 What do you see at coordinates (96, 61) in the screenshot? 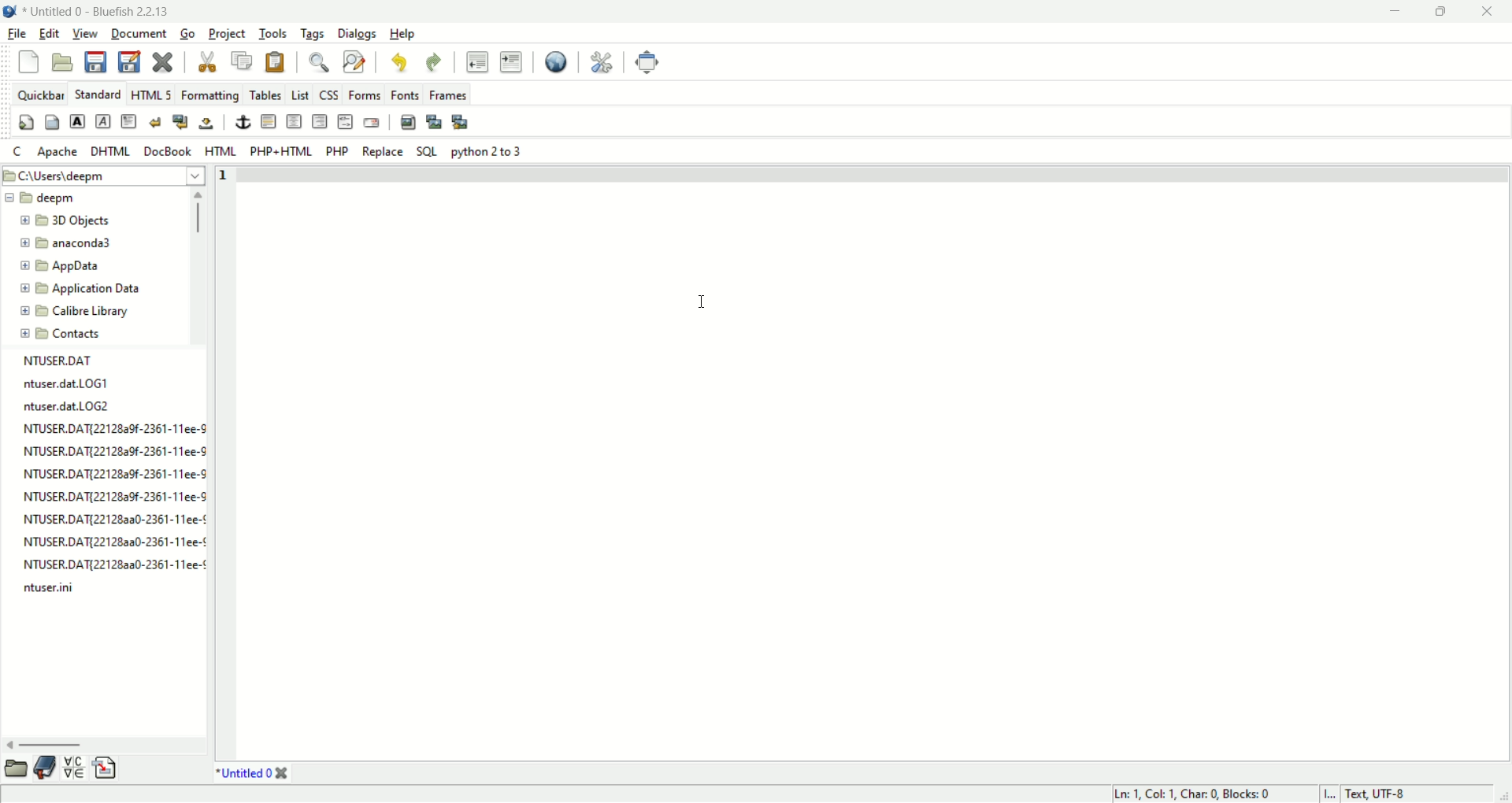
I see `save current file` at bounding box center [96, 61].